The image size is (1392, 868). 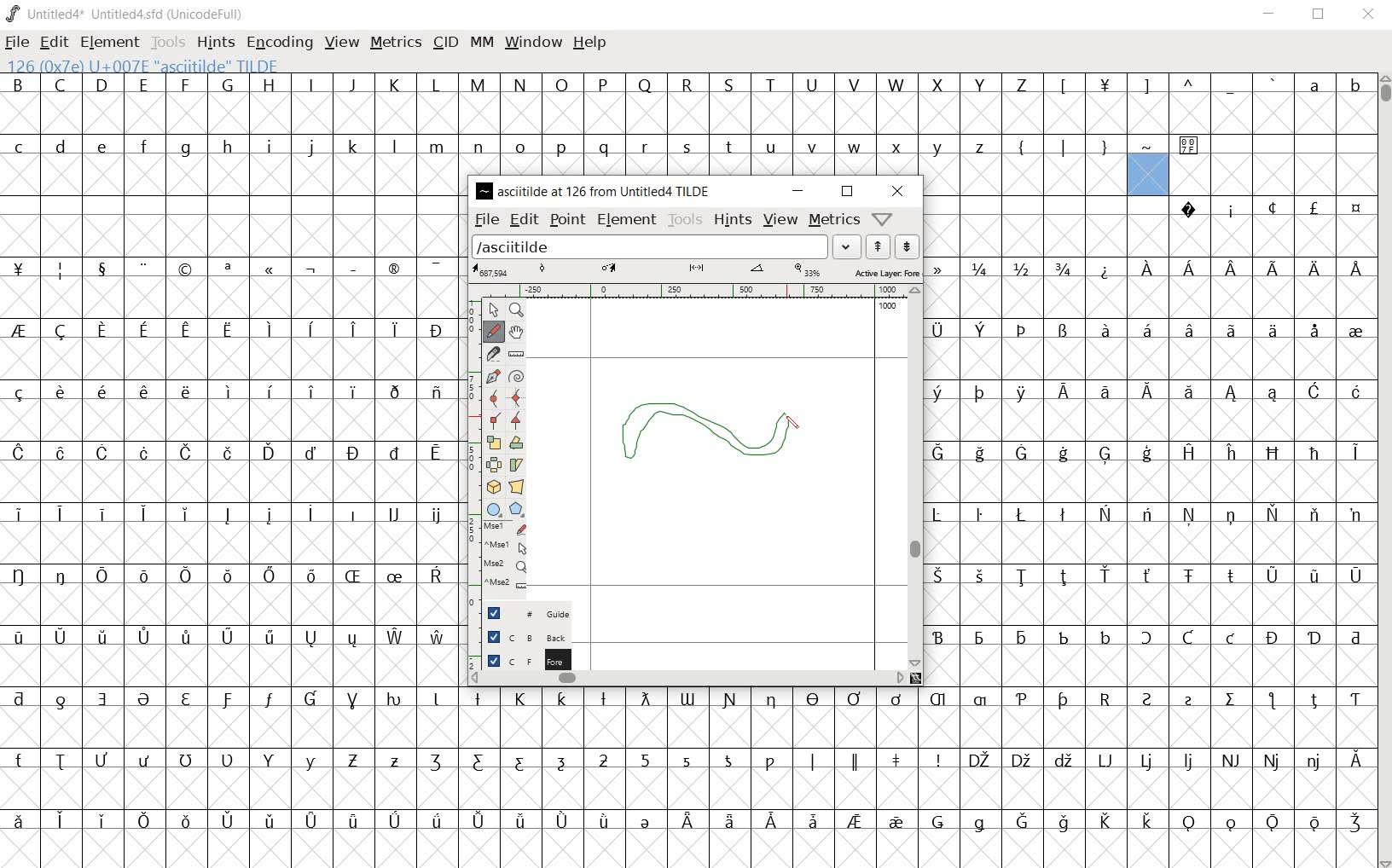 I want to click on rectangle or ellipse, so click(x=493, y=510).